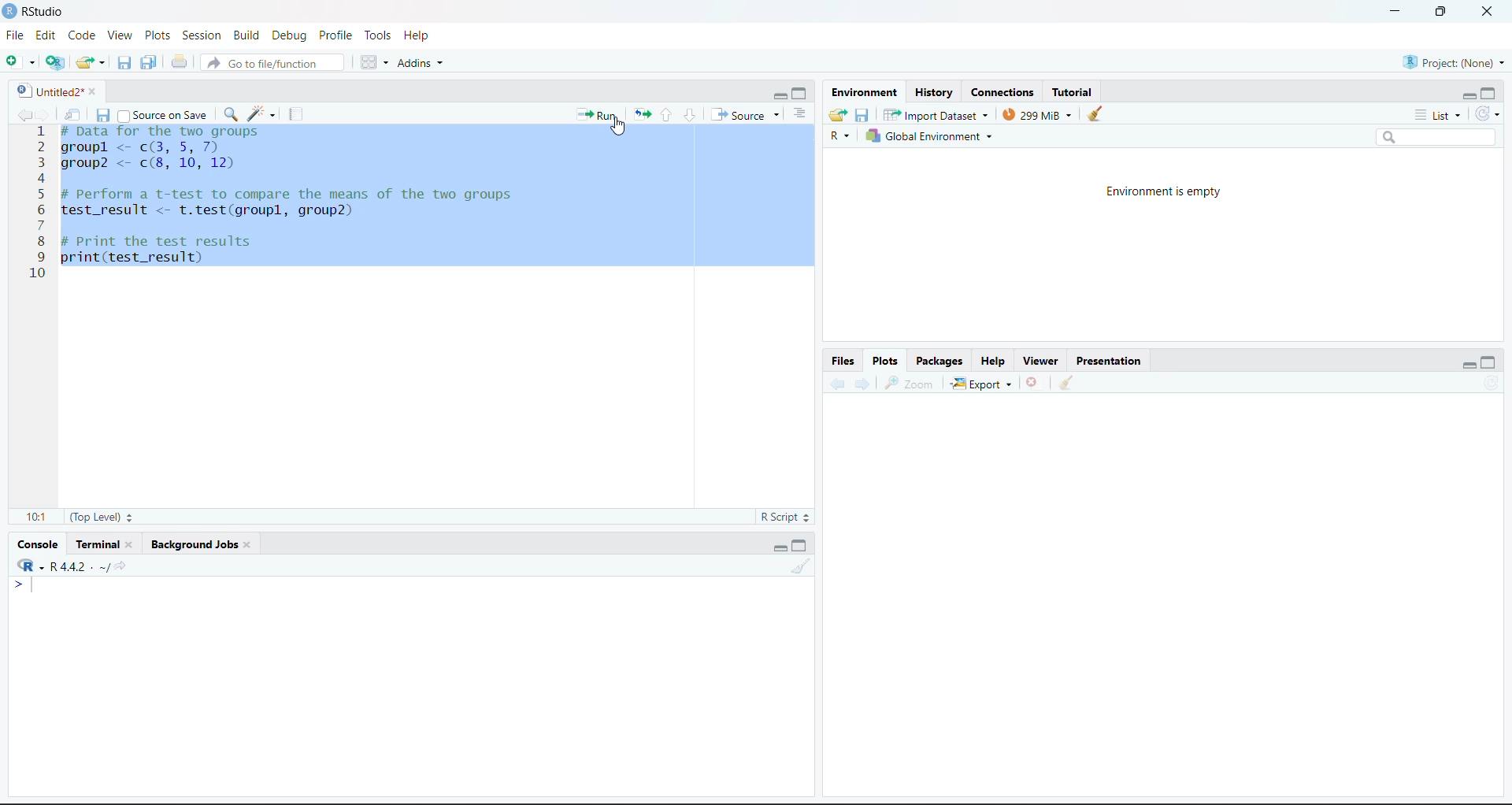 The width and height of the screenshot is (1512, 805). Describe the element at coordinates (888, 360) in the screenshot. I see `Plots` at that location.